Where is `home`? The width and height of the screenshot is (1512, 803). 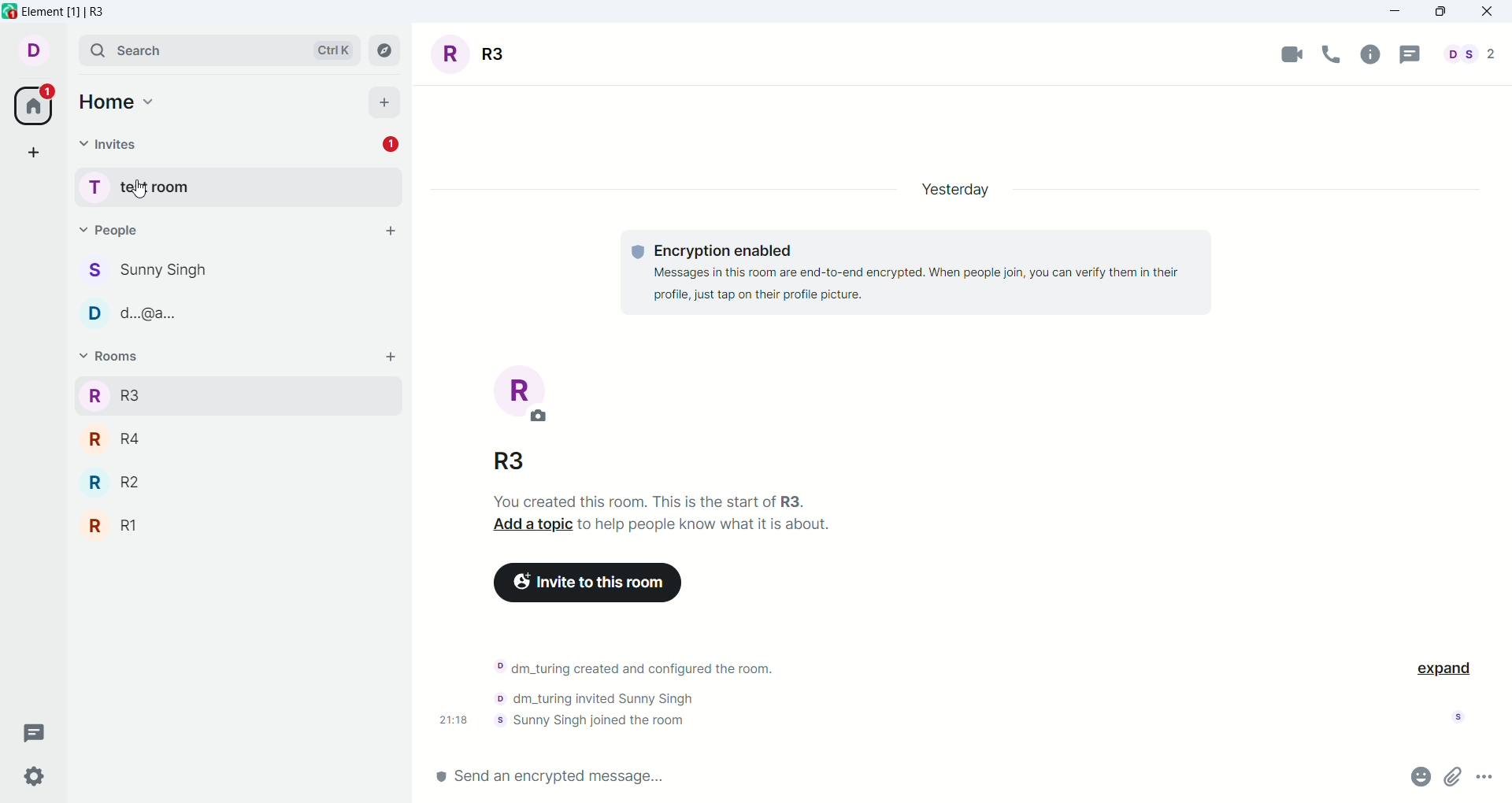
home is located at coordinates (119, 102).